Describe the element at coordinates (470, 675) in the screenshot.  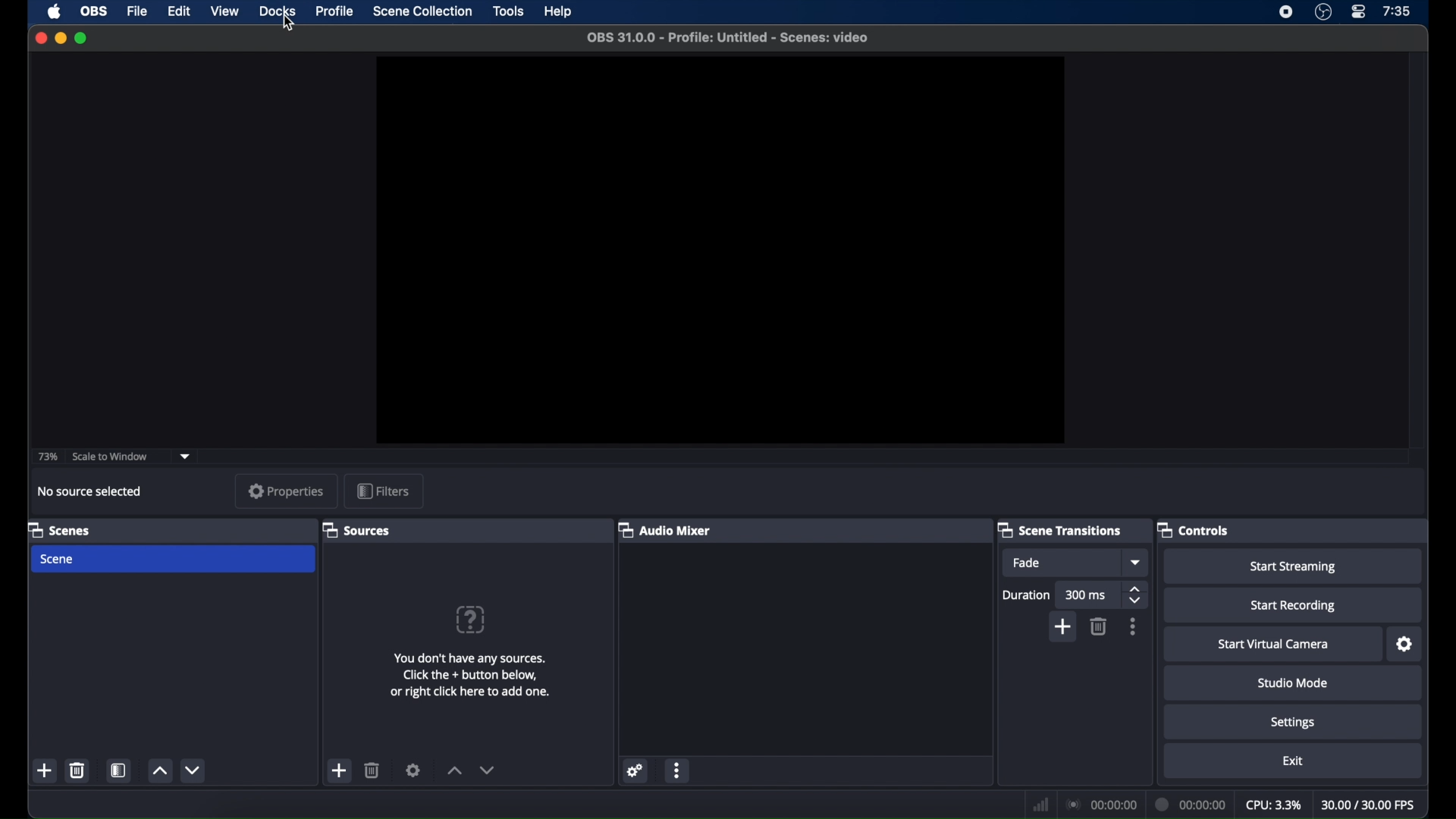
I see `add sources information` at that location.